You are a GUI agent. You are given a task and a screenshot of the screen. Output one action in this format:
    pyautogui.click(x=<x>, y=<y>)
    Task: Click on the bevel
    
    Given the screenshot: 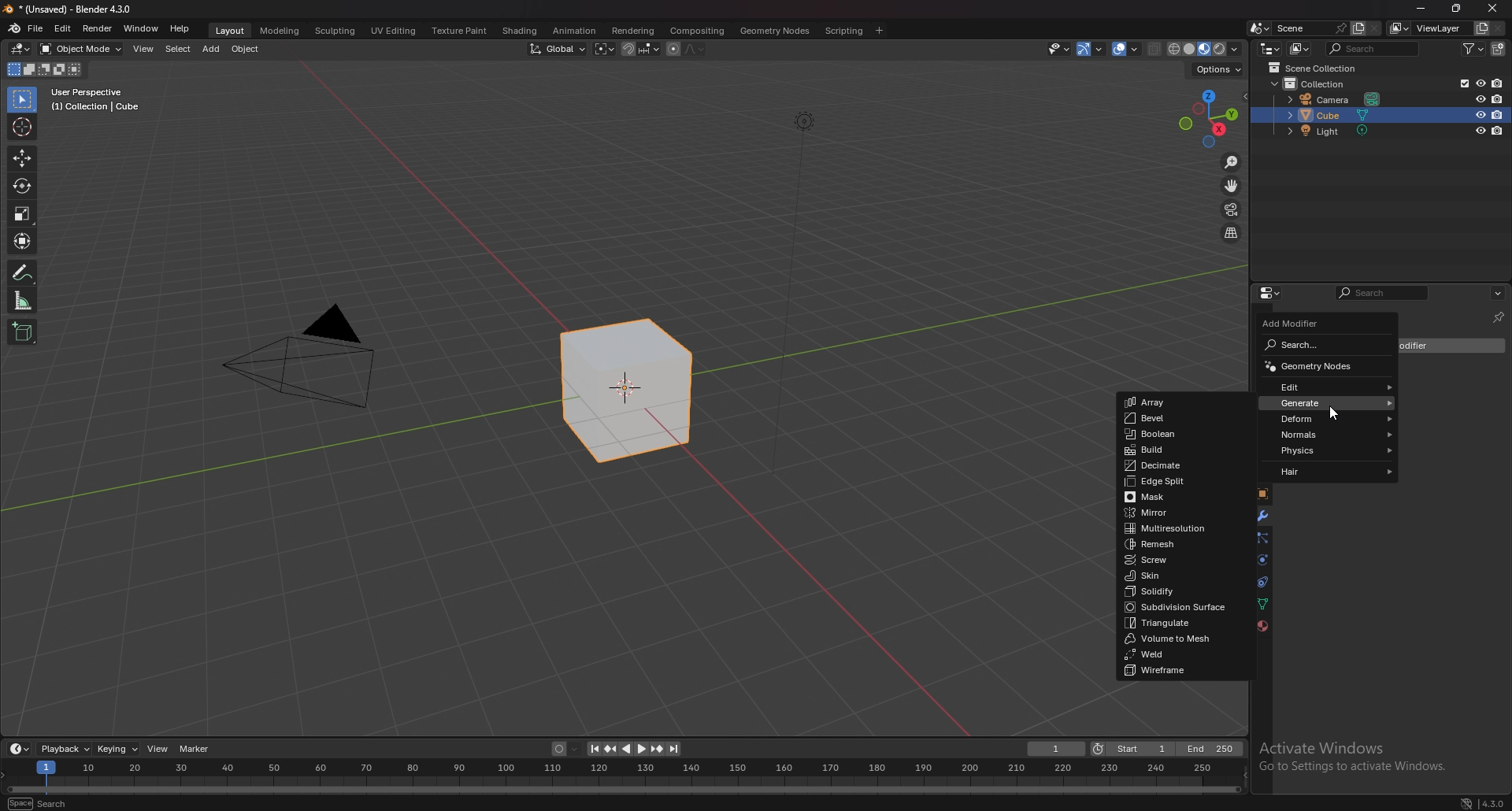 What is the action you would take?
    pyautogui.click(x=1187, y=418)
    